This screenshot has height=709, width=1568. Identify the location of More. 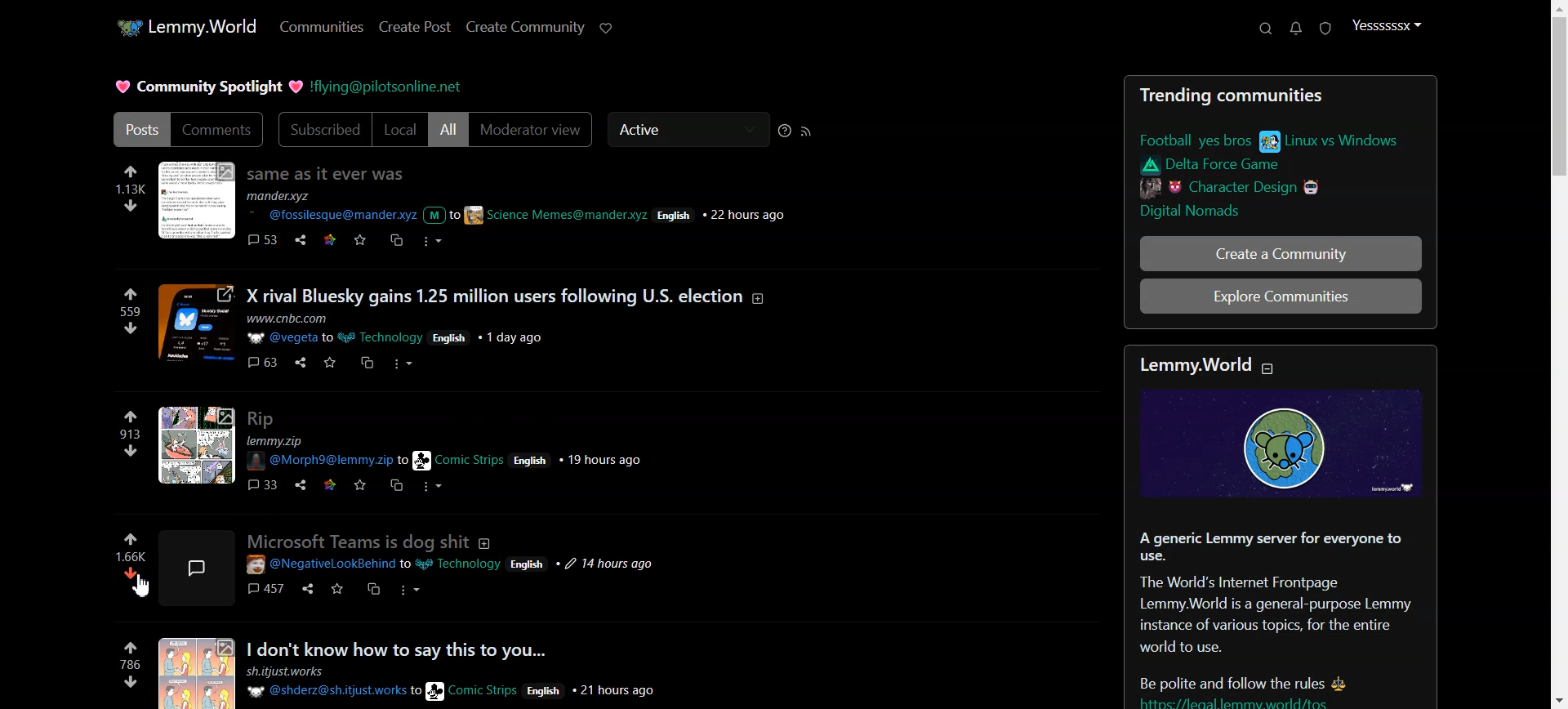
(409, 590).